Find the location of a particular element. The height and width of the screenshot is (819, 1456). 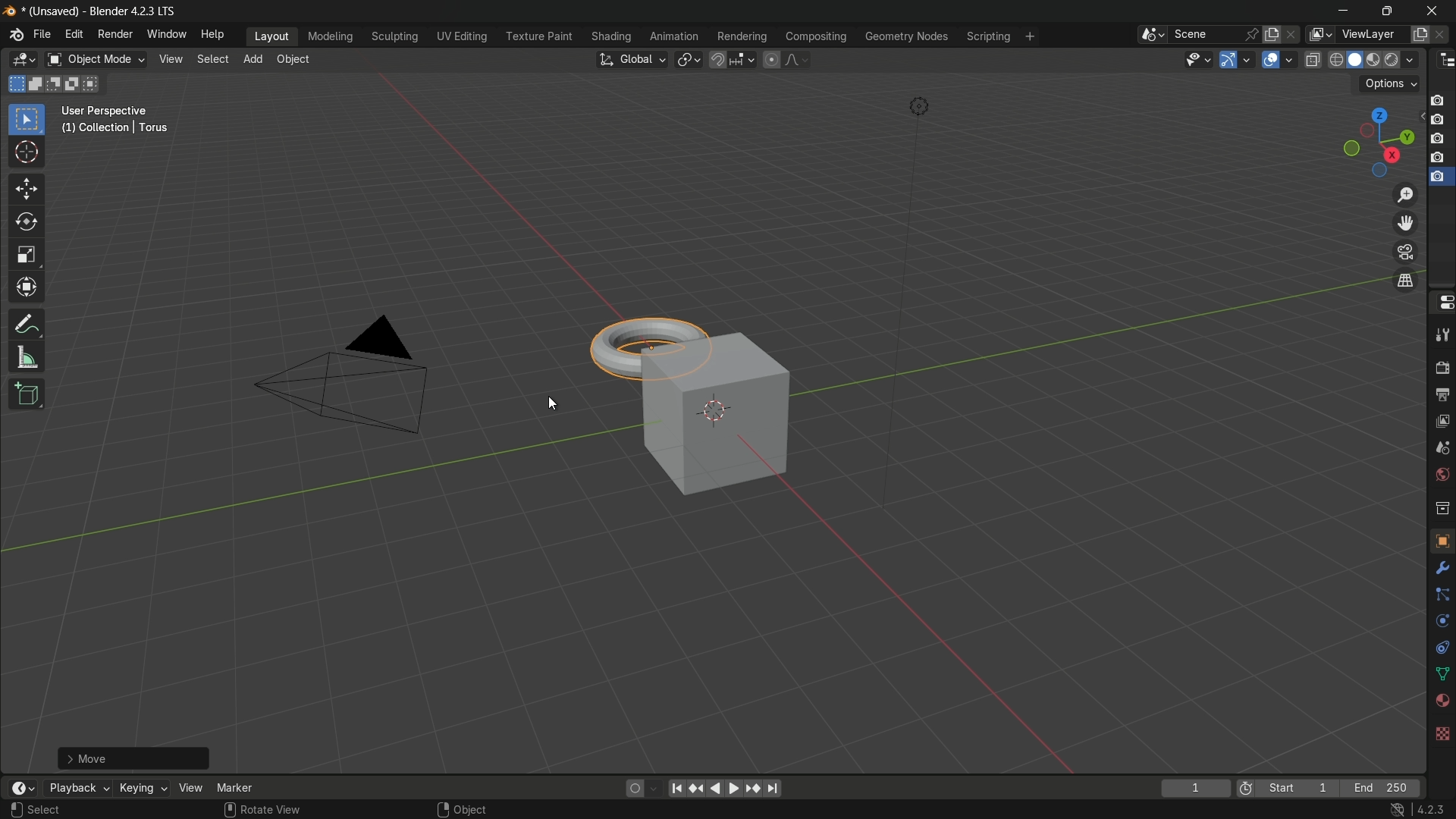

transformation is located at coordinates (28, 289).